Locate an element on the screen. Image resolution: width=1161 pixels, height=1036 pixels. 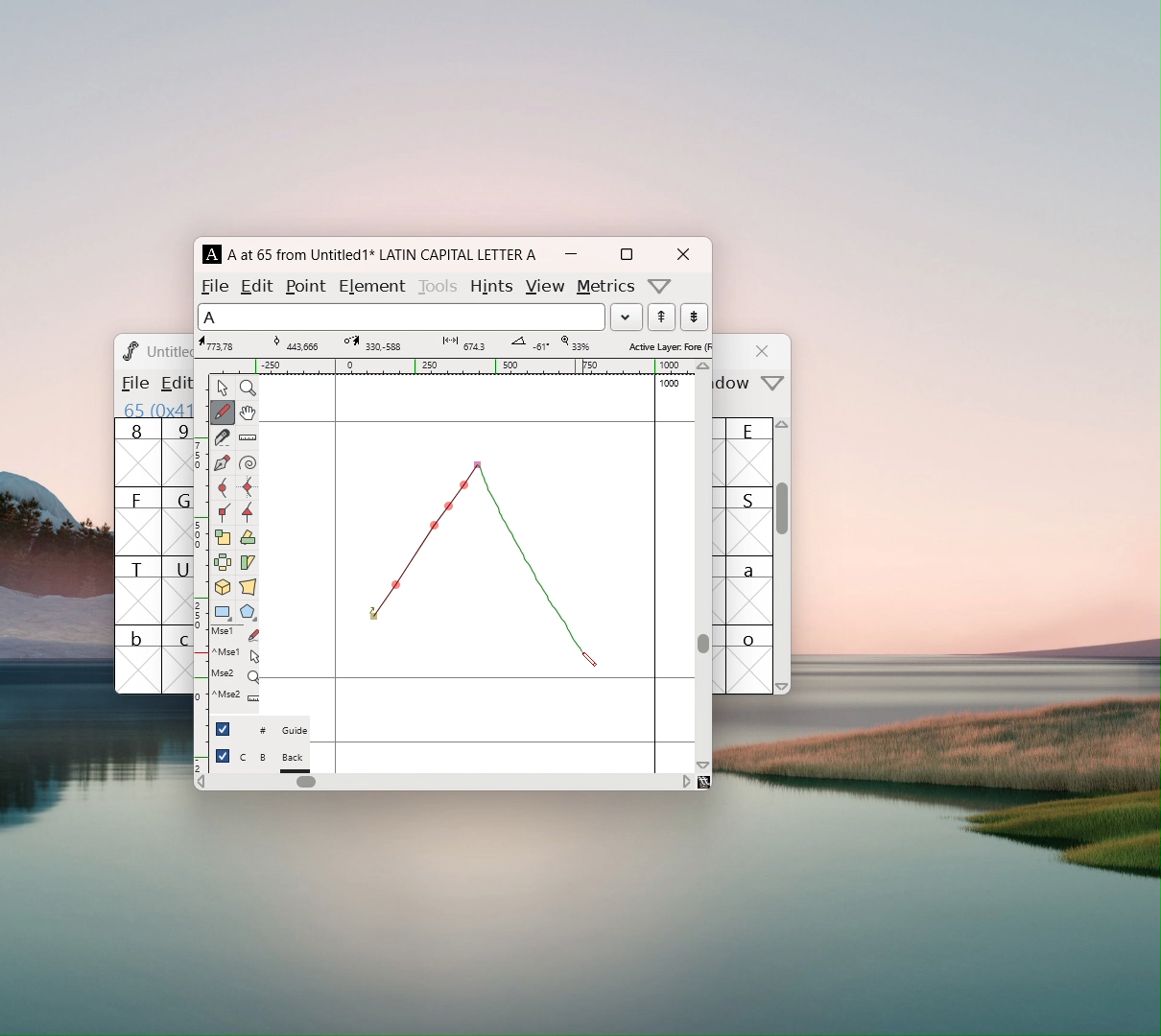
add a curve point is located at coordinates (222, 488).